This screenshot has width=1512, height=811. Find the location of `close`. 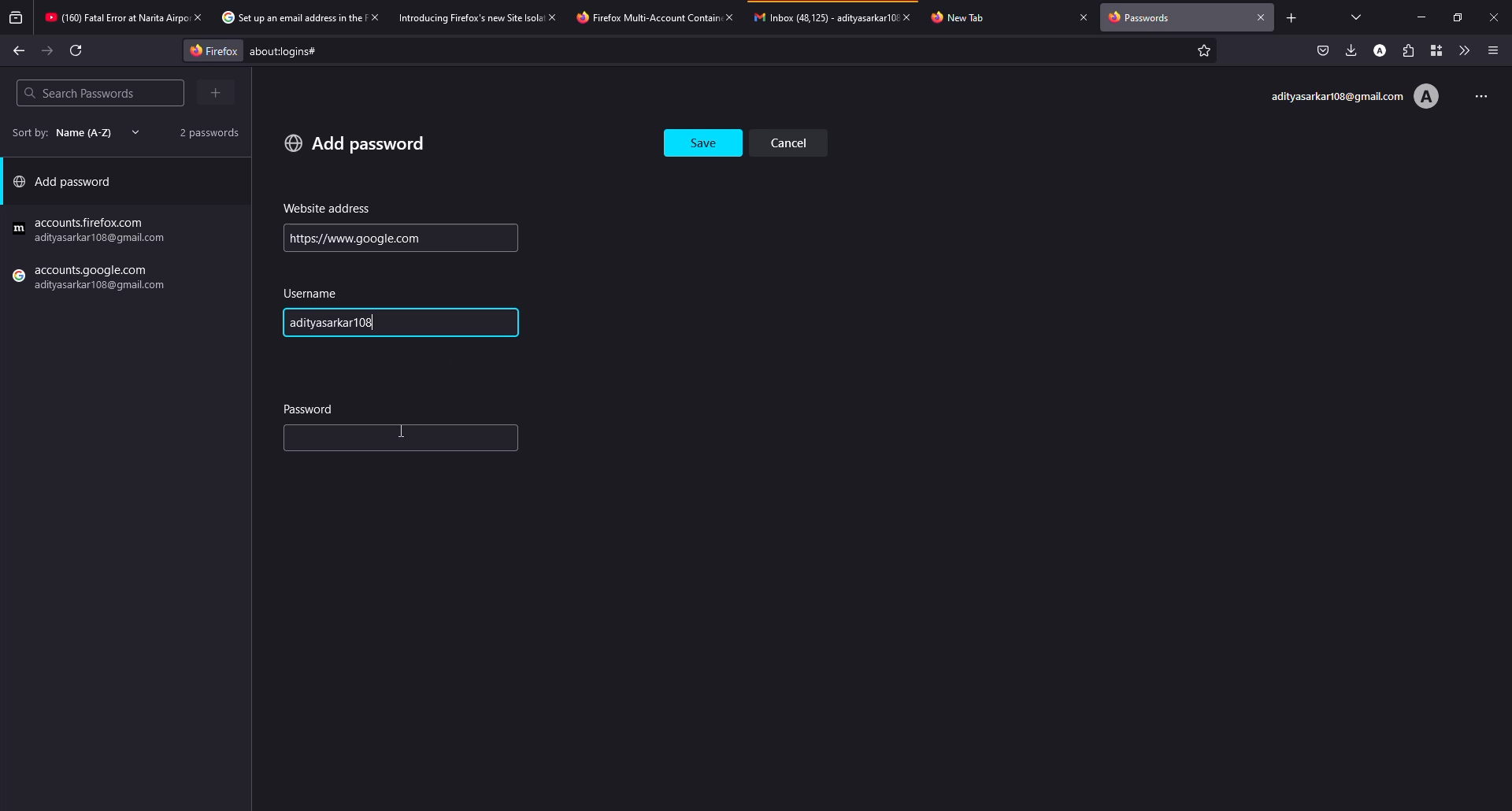

close is located at coordinates (197, 17).